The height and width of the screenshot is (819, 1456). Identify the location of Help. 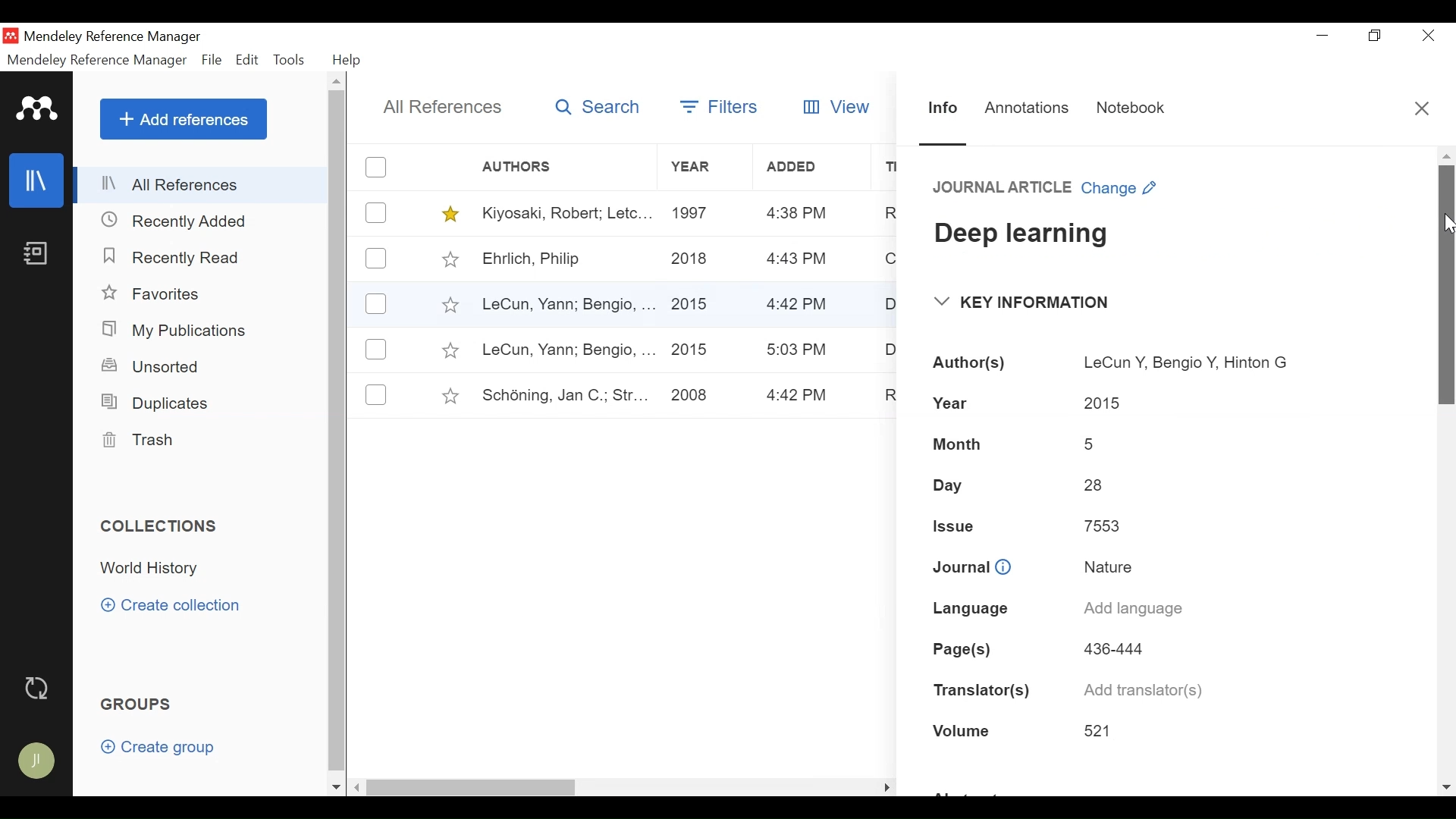
(348, 60).